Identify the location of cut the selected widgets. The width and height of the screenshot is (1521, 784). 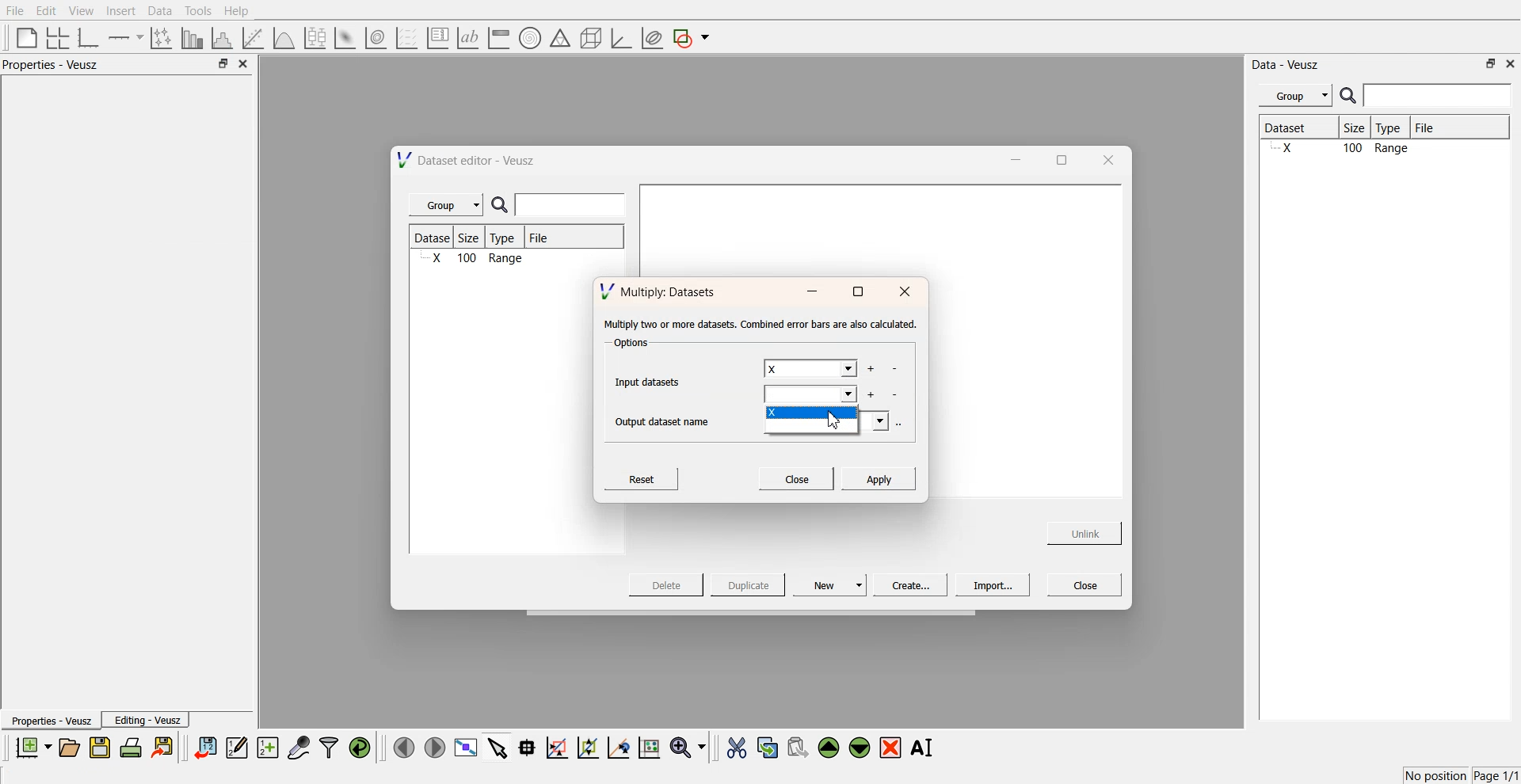
(735, 748).